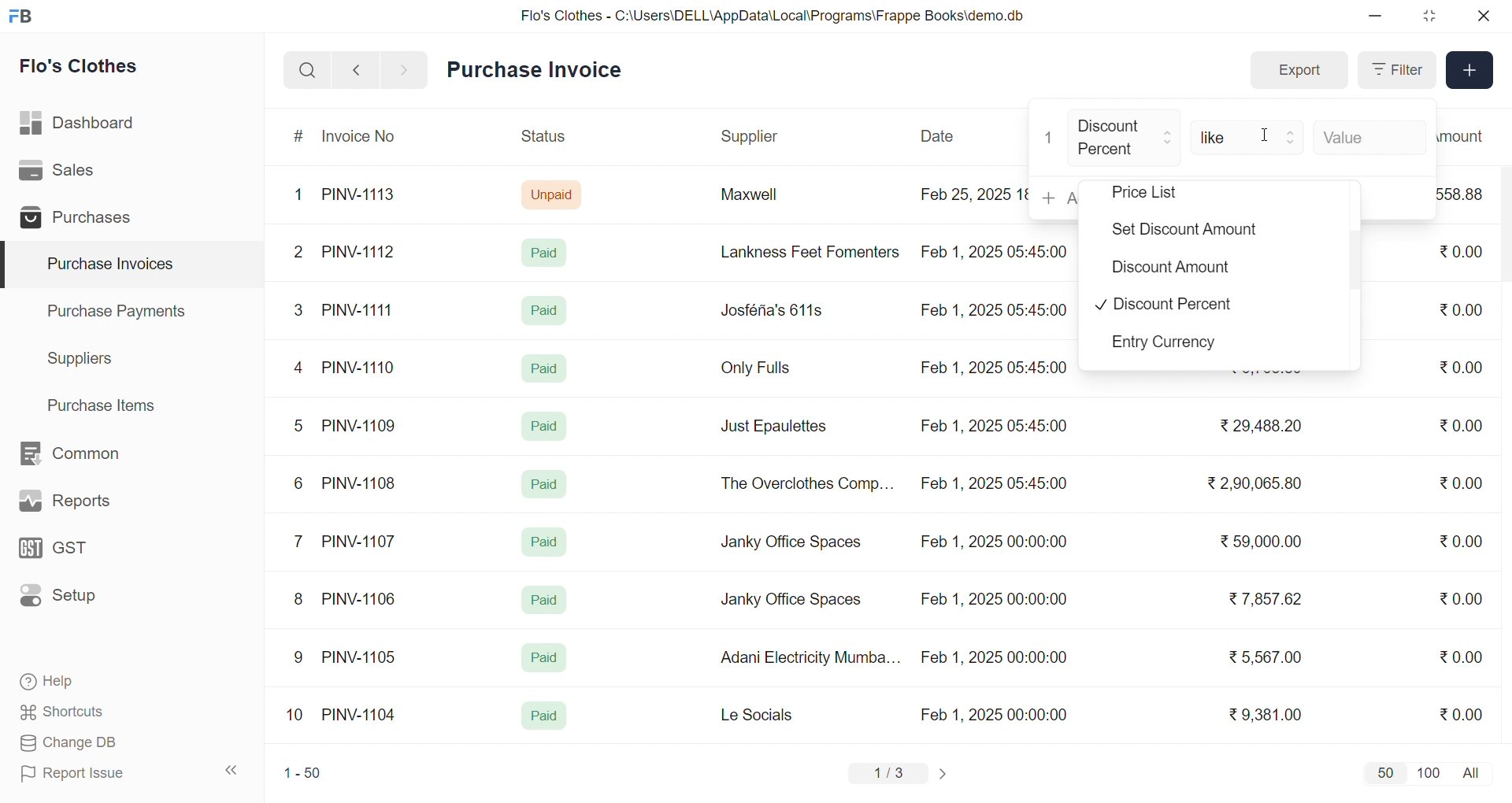  What do you see at coordinates (996, 485) in the screenshot?
I see `Feb 1, 2025 05:45:00` at bounding box center [996, 485].